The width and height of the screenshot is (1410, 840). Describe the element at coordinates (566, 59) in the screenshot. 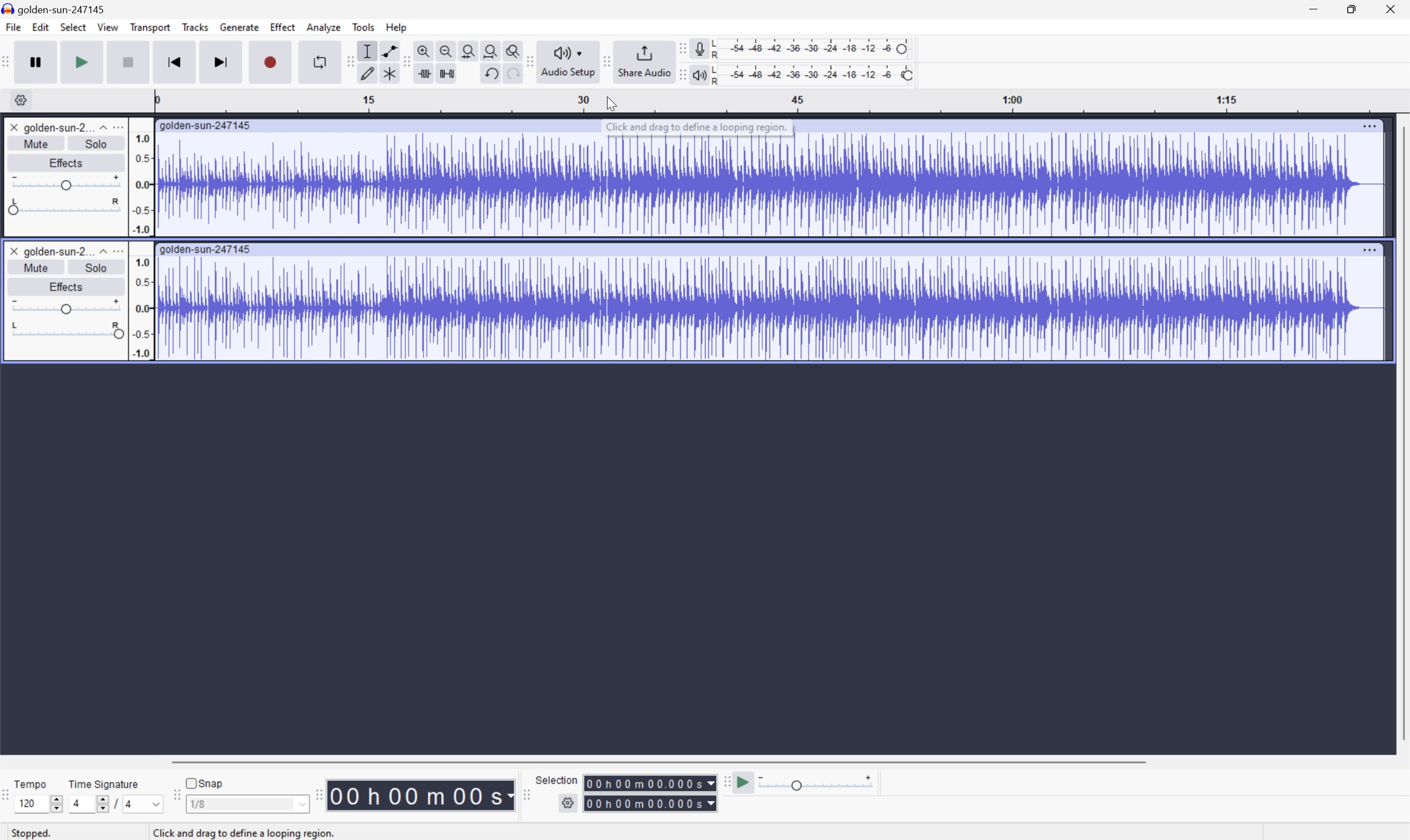

I see `Audacity audio setup toolbar` at that location.